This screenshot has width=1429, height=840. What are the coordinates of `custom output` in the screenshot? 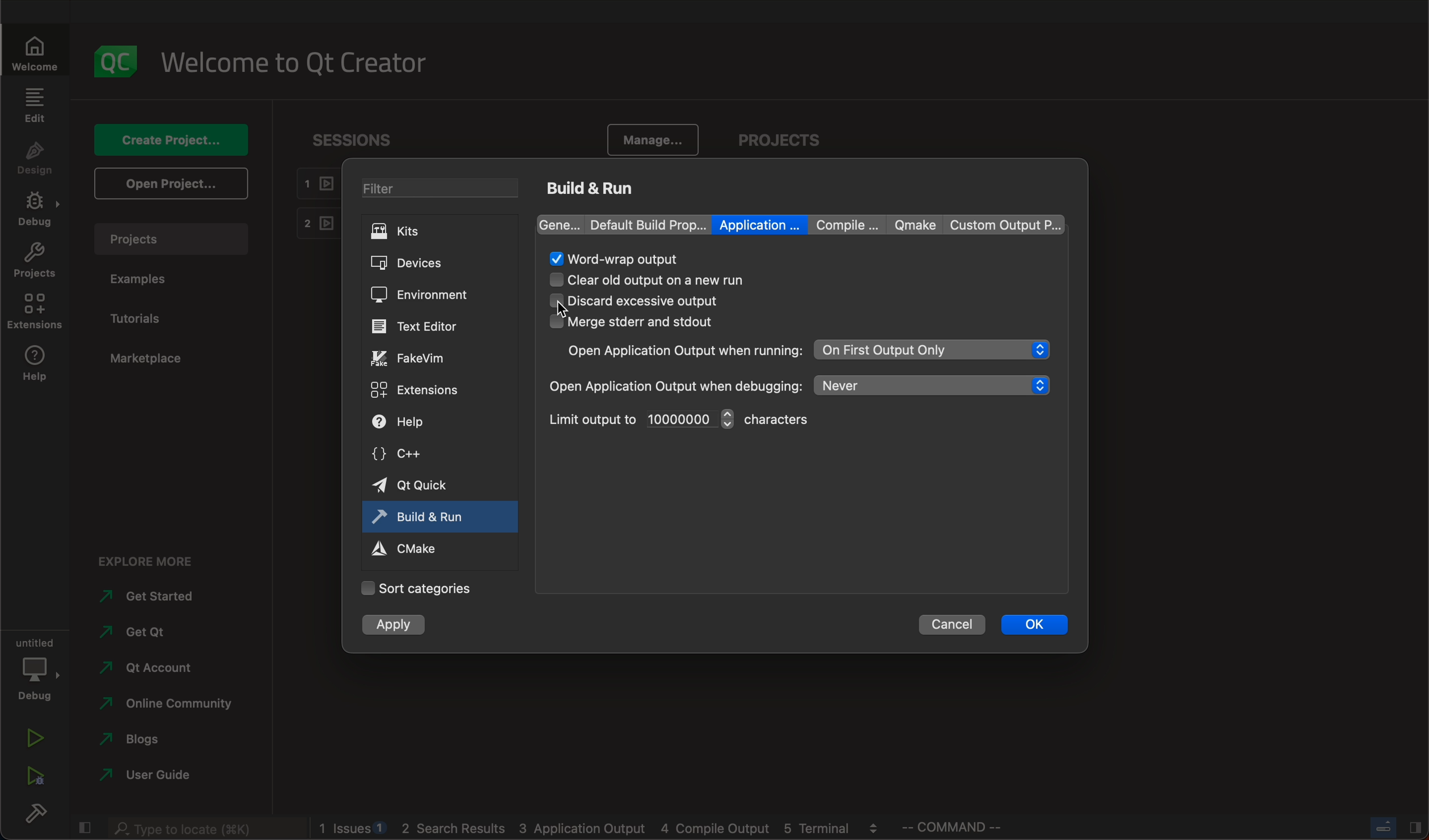 It's located at (999, 224).